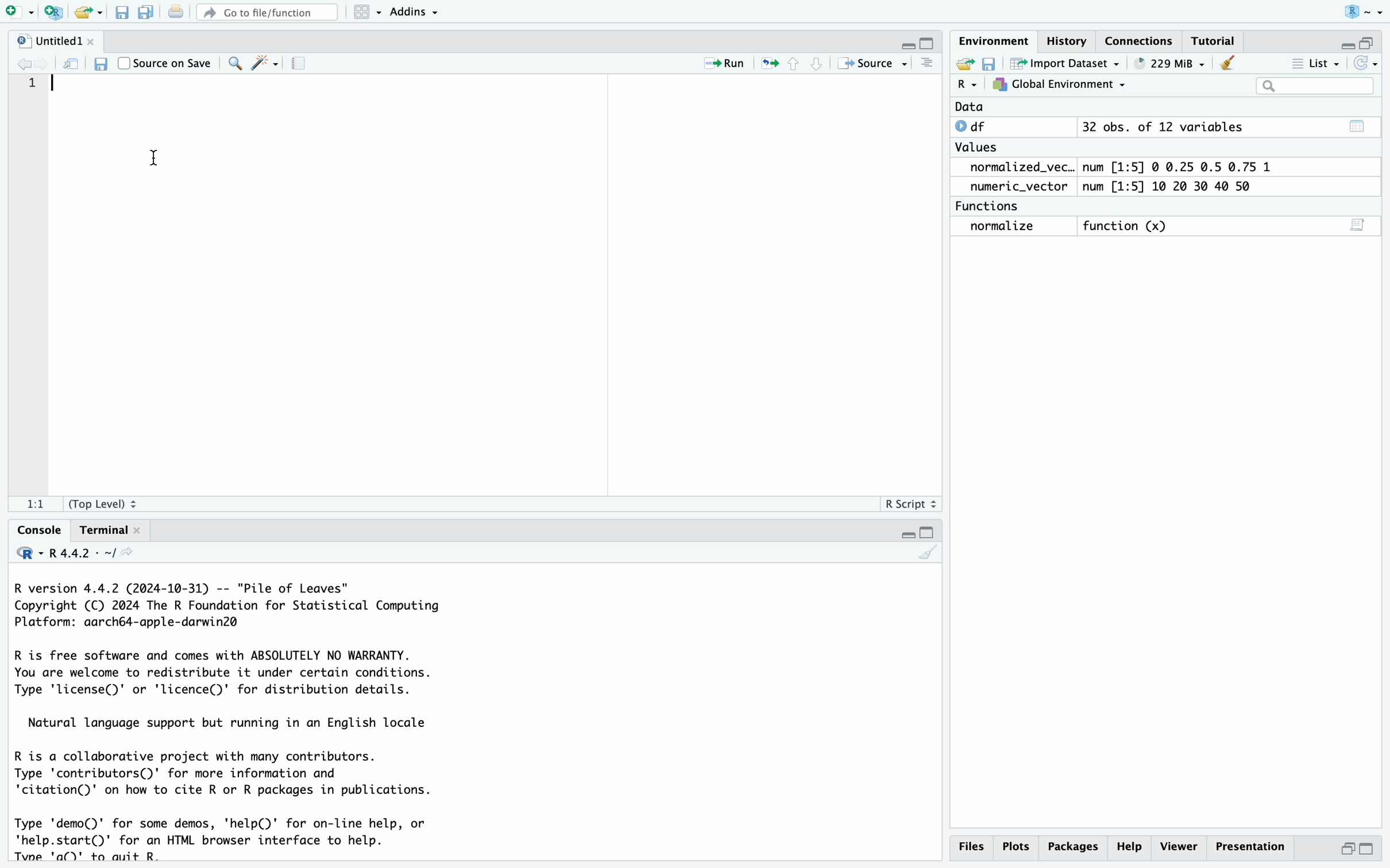 Image resolution: width=1390 pixels, height=868 pixels. I want to click on Tutorial, so click(1217, 42).